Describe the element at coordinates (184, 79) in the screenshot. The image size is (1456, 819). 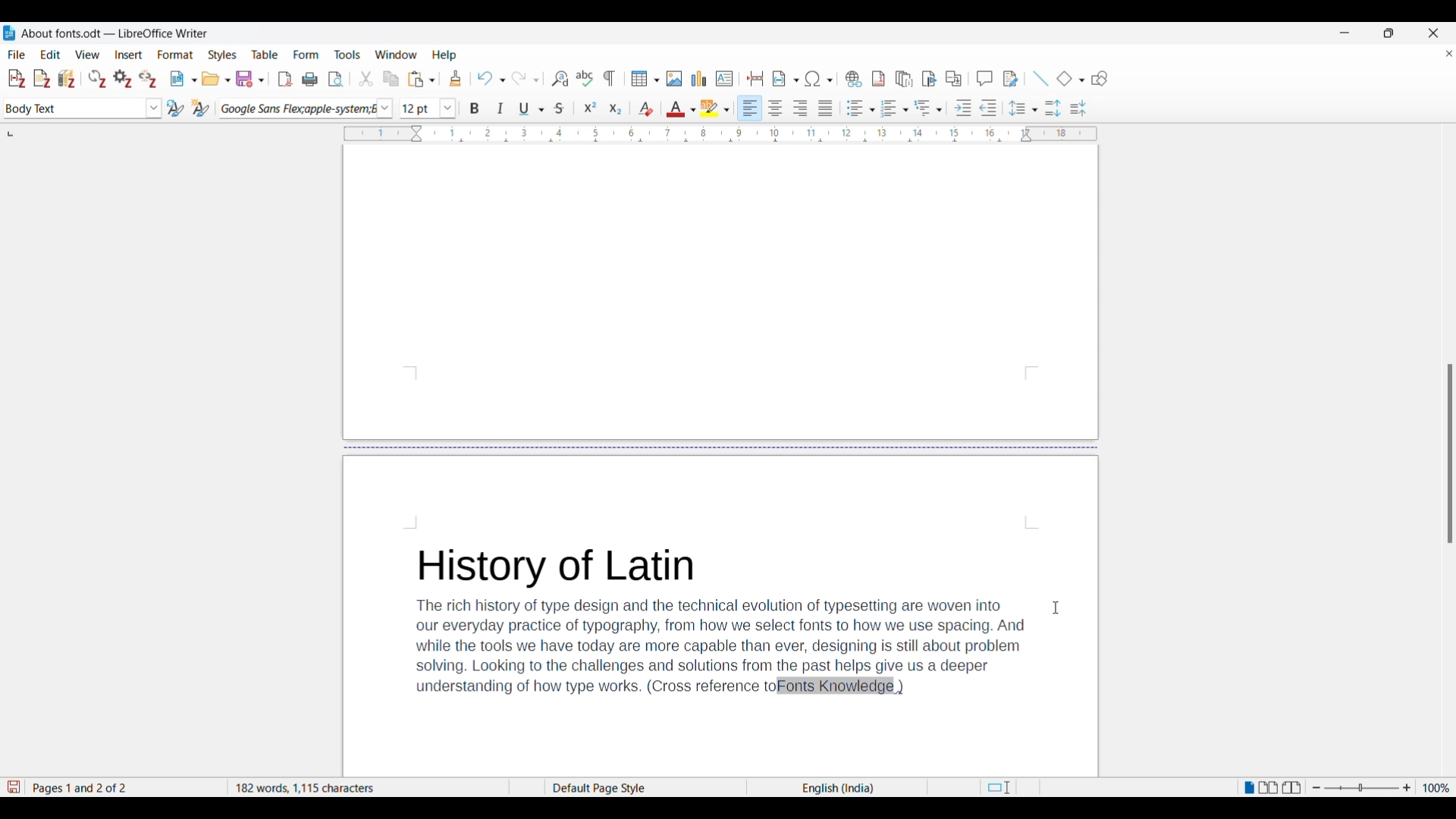
I see `New document options` at that location.